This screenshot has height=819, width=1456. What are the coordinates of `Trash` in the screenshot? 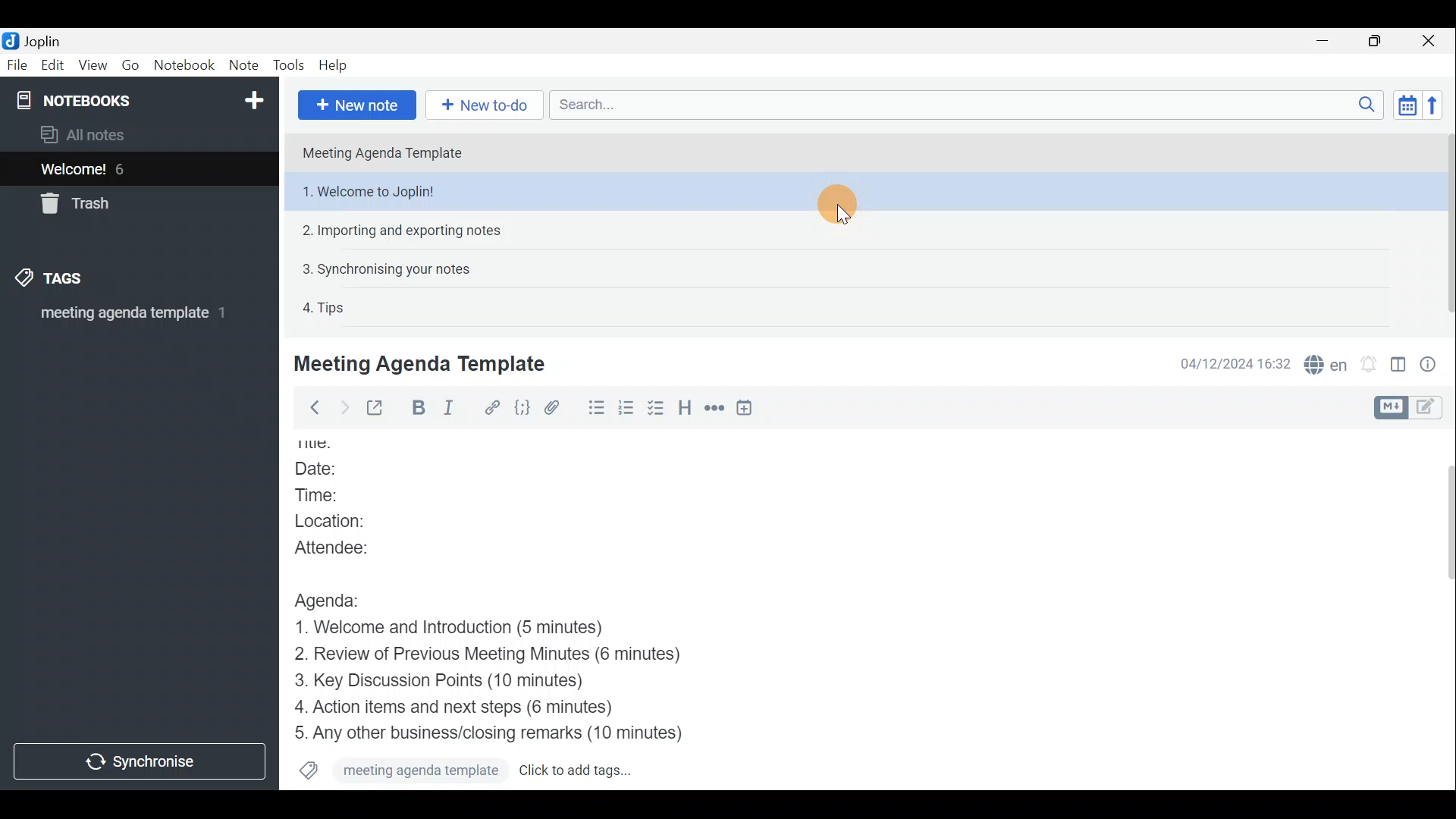 It's located at (72, 203).